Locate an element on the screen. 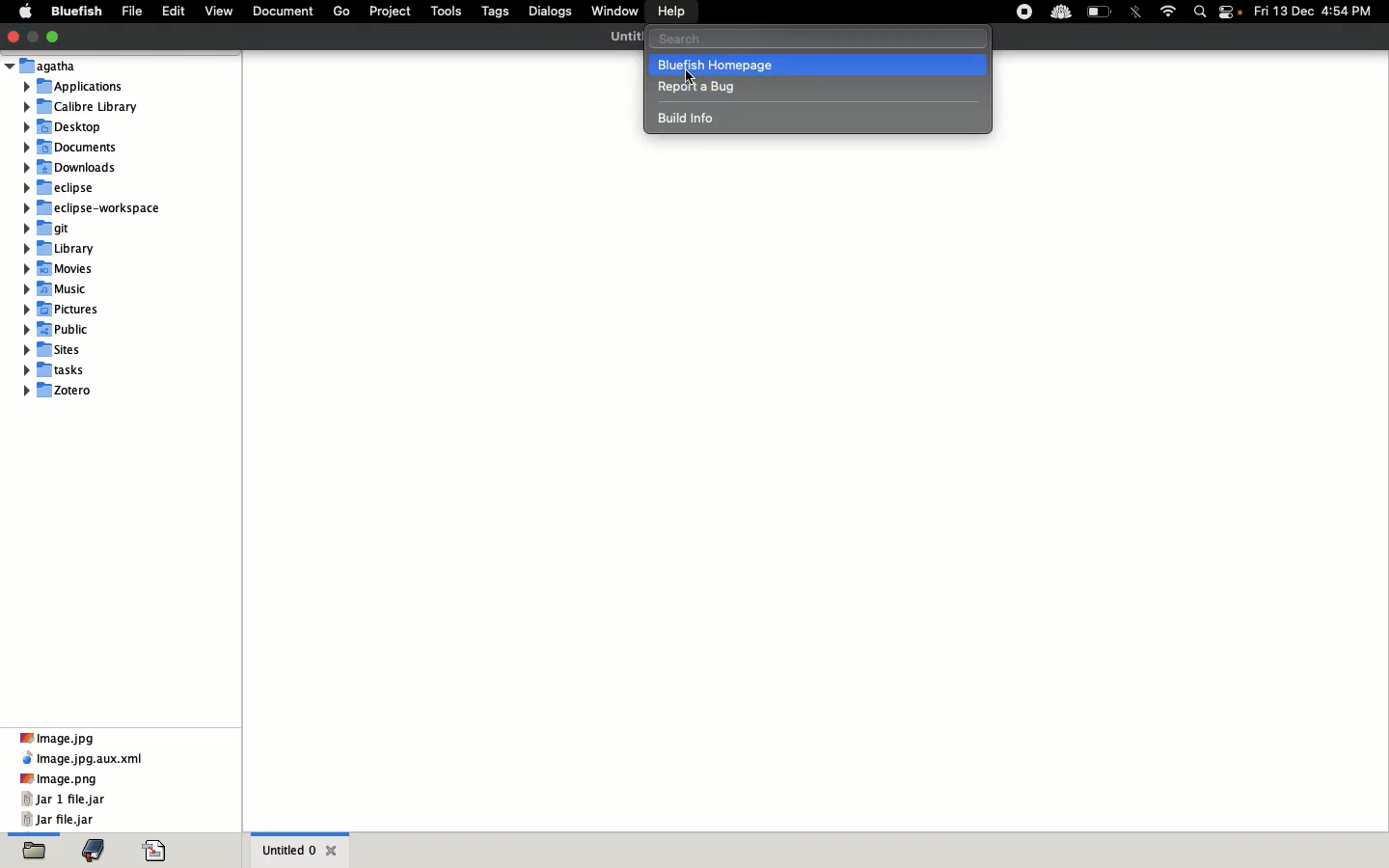 This screenshot has width=1389, height=868. Apple logo is located at coordinates (26, 11).